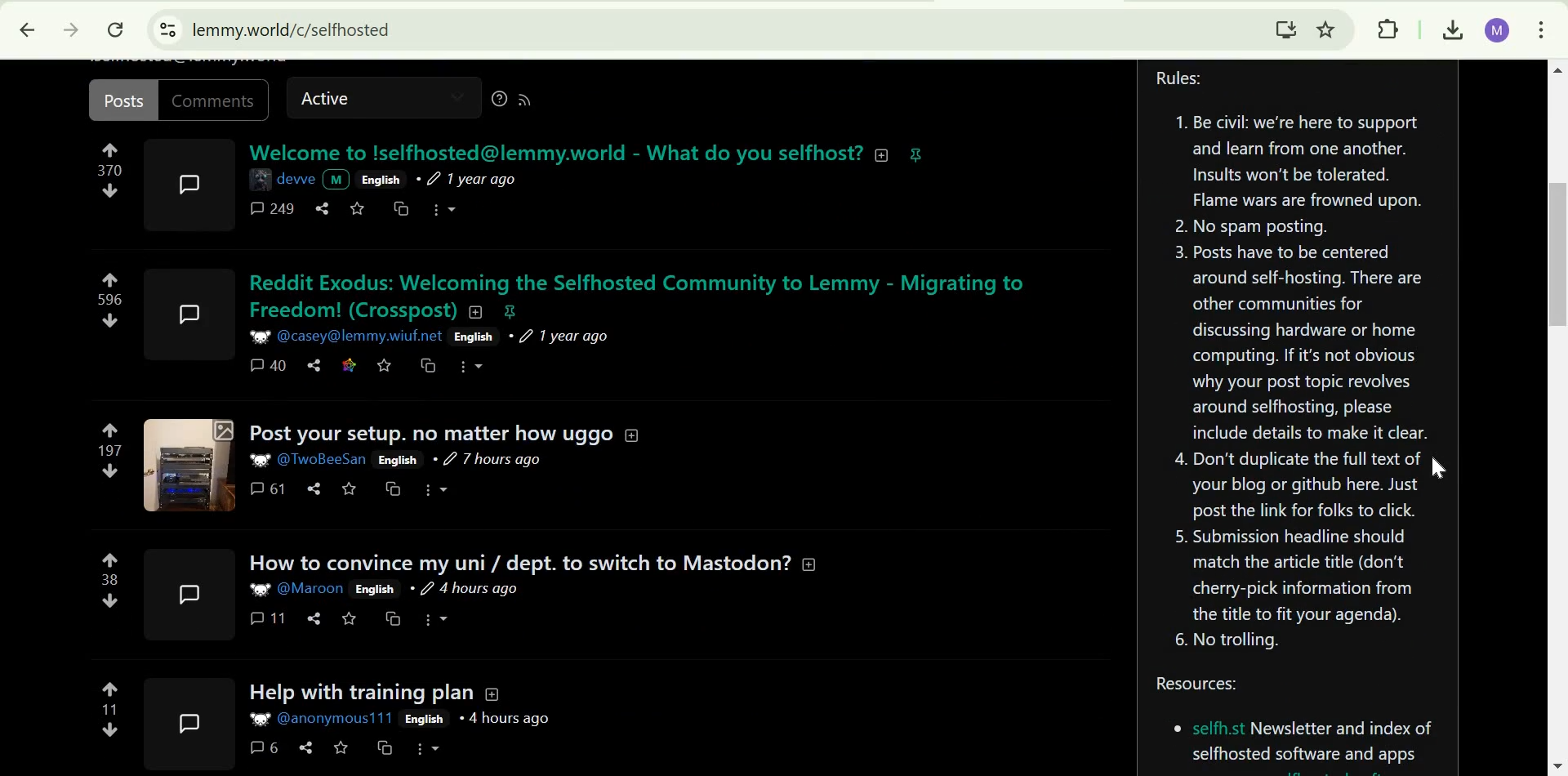 The width and height of the screenshot is (1568, 776). I want to click on upvote, so click(111, 689).